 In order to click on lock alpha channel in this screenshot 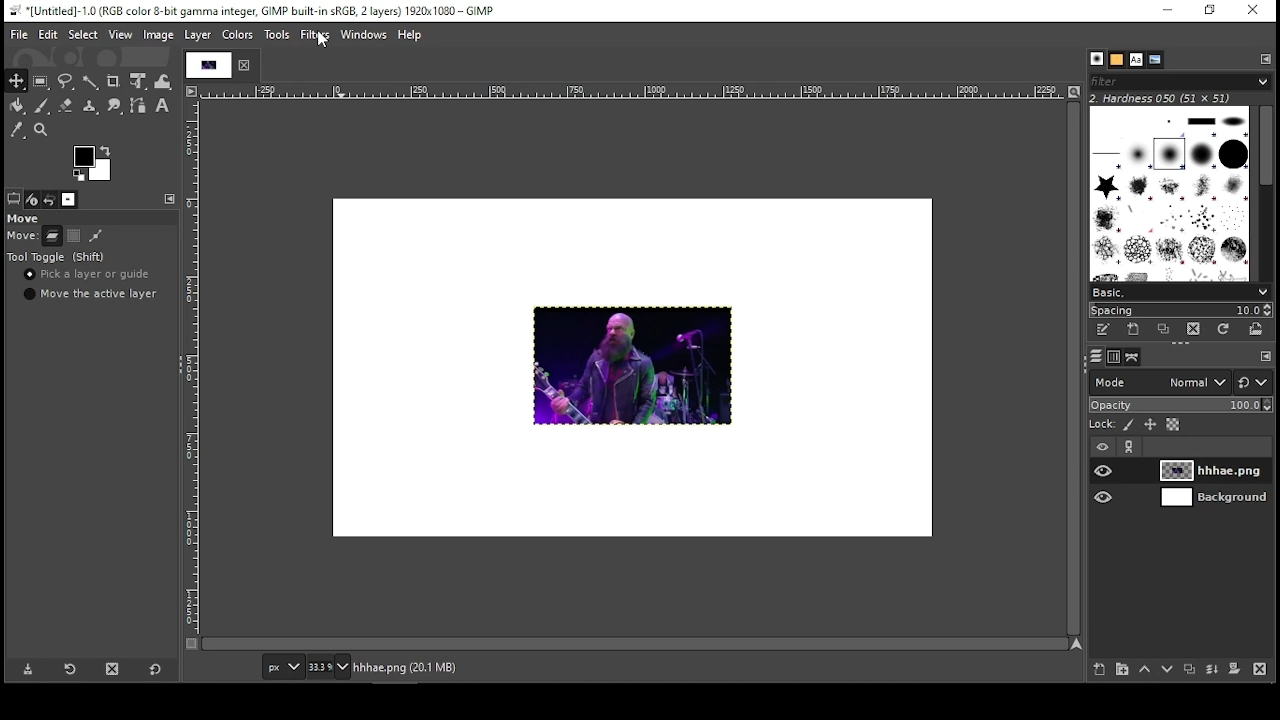, I will do `click(1174, 425)`.